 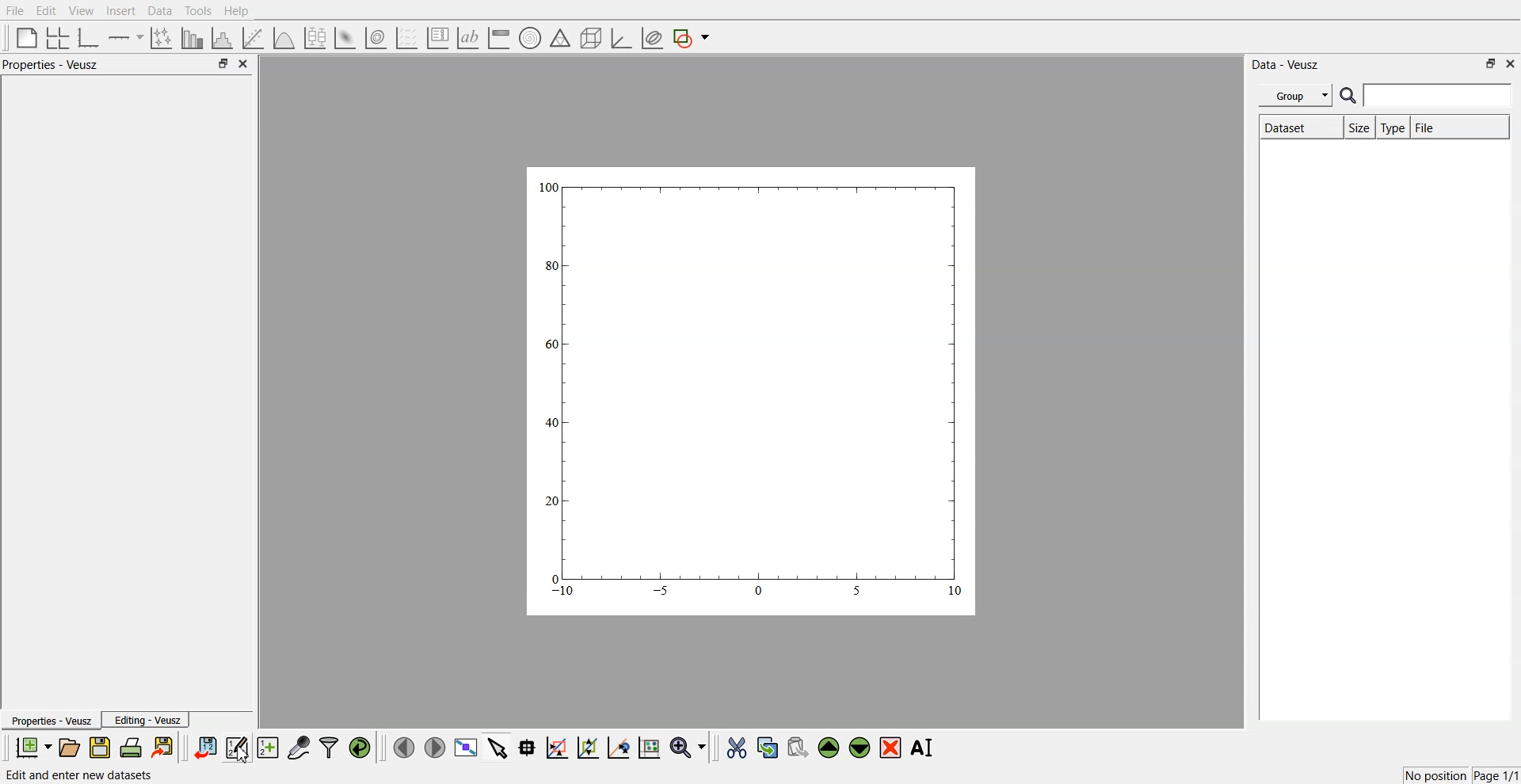 What do you see at coordinates (1491, 63) in the screenshot?
I see `minimise or maximise` at bounding box center [1491, 63].